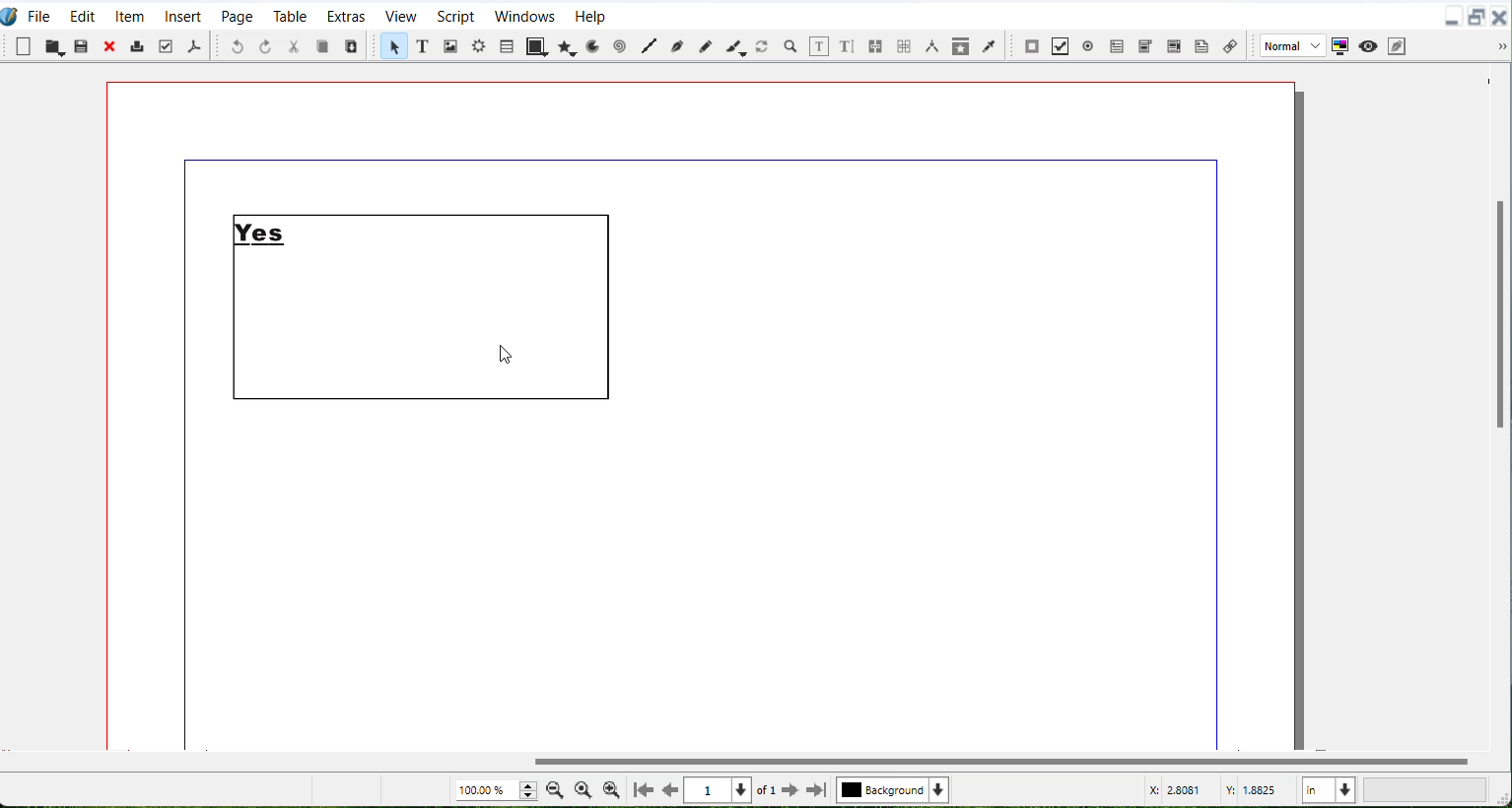 The height and width of the screenshot is (808, 1512). What do you see at coordinates (523, 15) in the screenshot?
I see `Windows` at bounding box center [523, 15].